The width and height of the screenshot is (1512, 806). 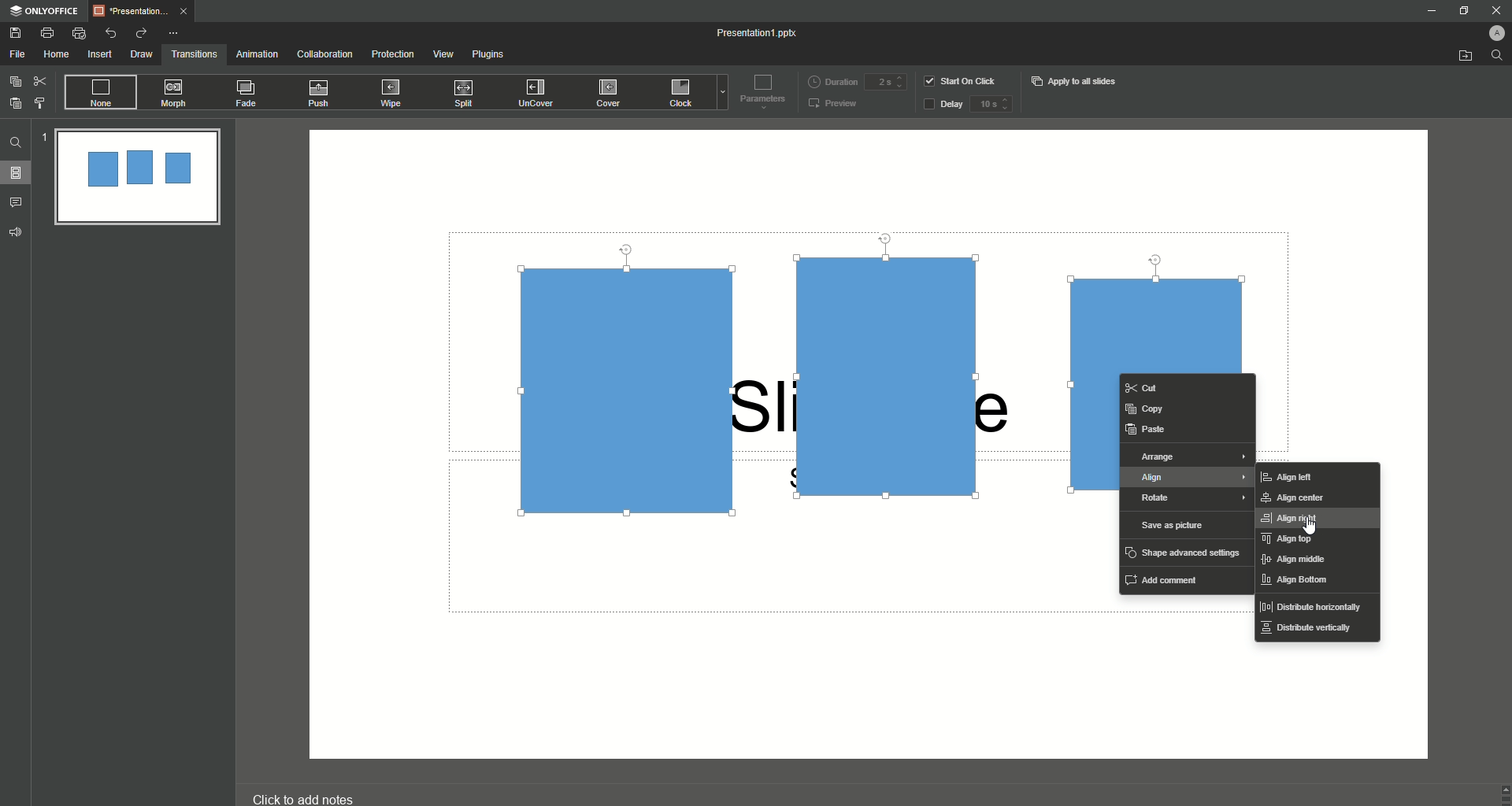 What do you see at coordinates (20, 173) in the screenshot?
I see `Slides` at bounding box center [20, 173].